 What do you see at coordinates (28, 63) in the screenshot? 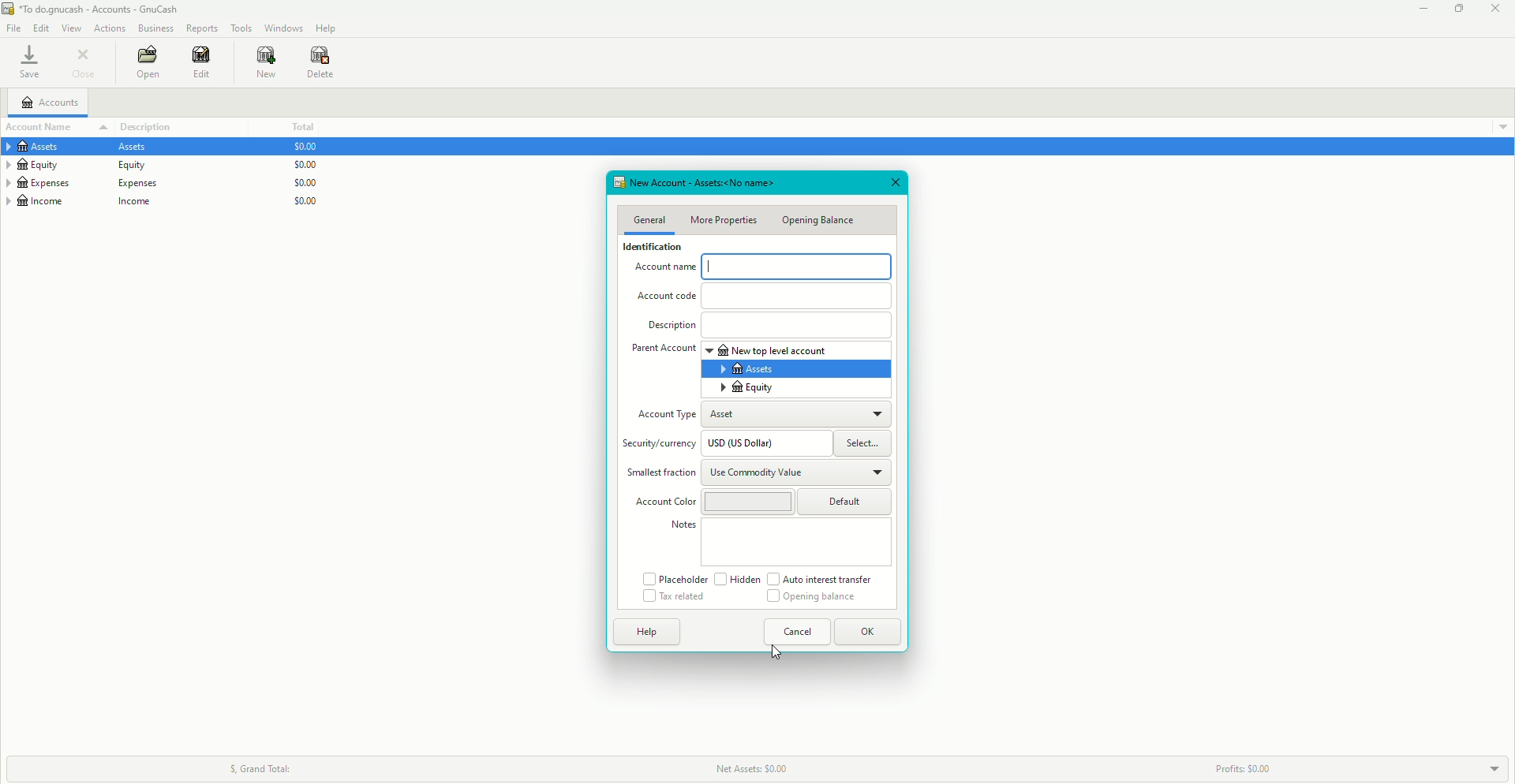
I see `Save` at bounding box center [28, 63].